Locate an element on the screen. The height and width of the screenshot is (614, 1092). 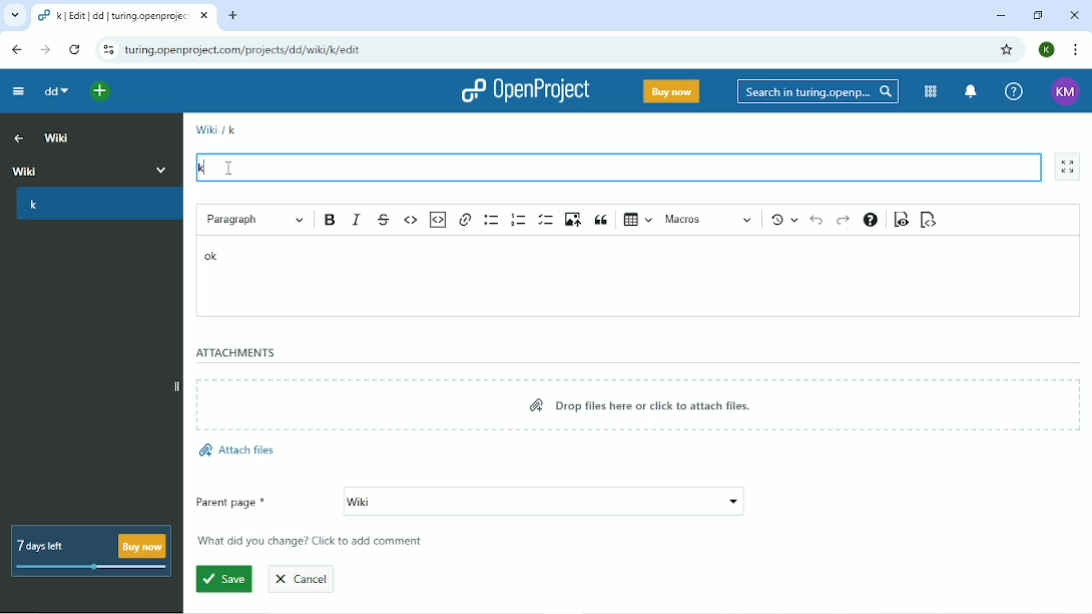
More is located at coordinates (160, 168).